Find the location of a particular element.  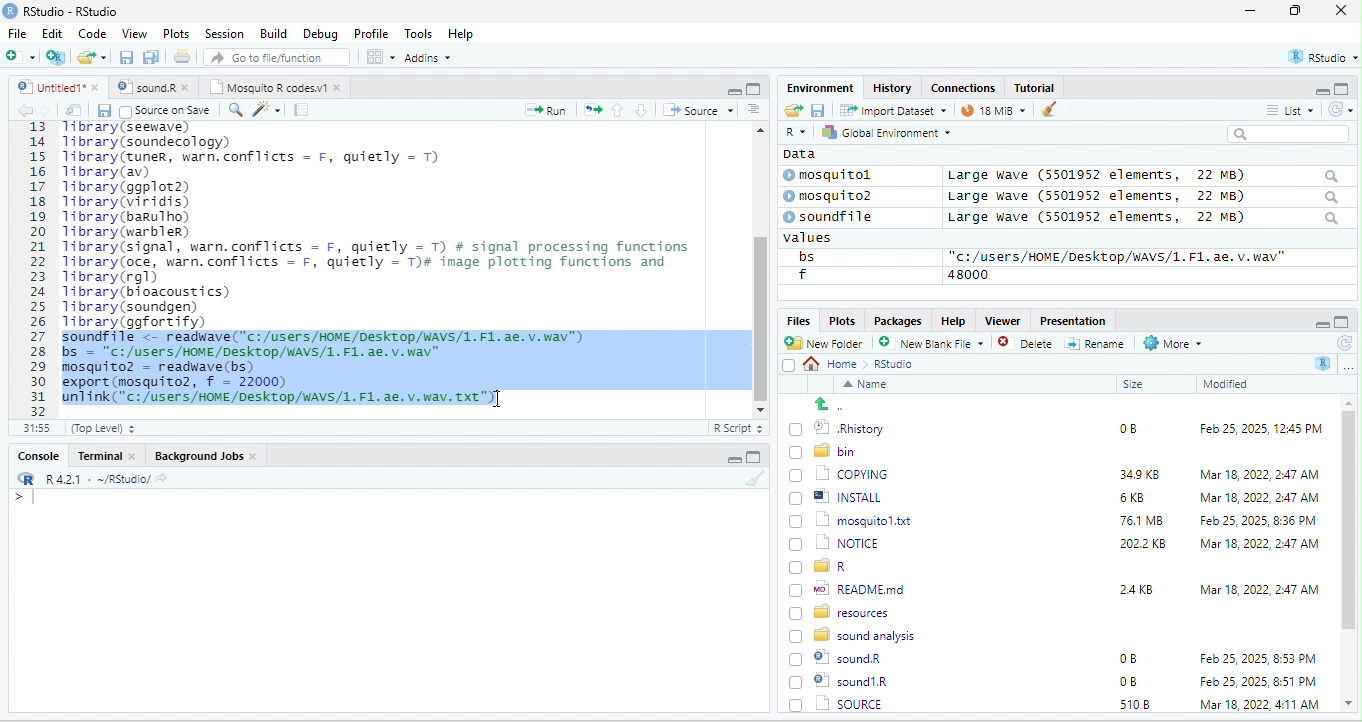

bs is located at coordinates (803, 256).